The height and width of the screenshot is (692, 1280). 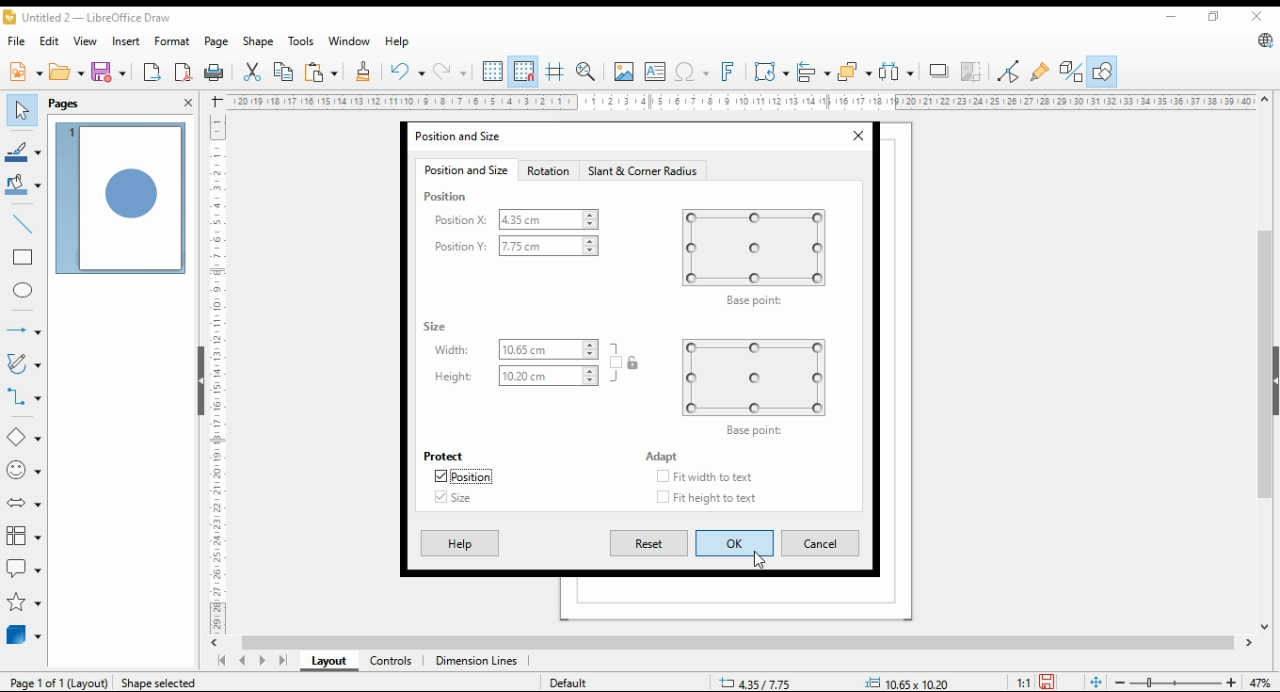 I want to click on helplines while moving, so click(x=553, y=72).